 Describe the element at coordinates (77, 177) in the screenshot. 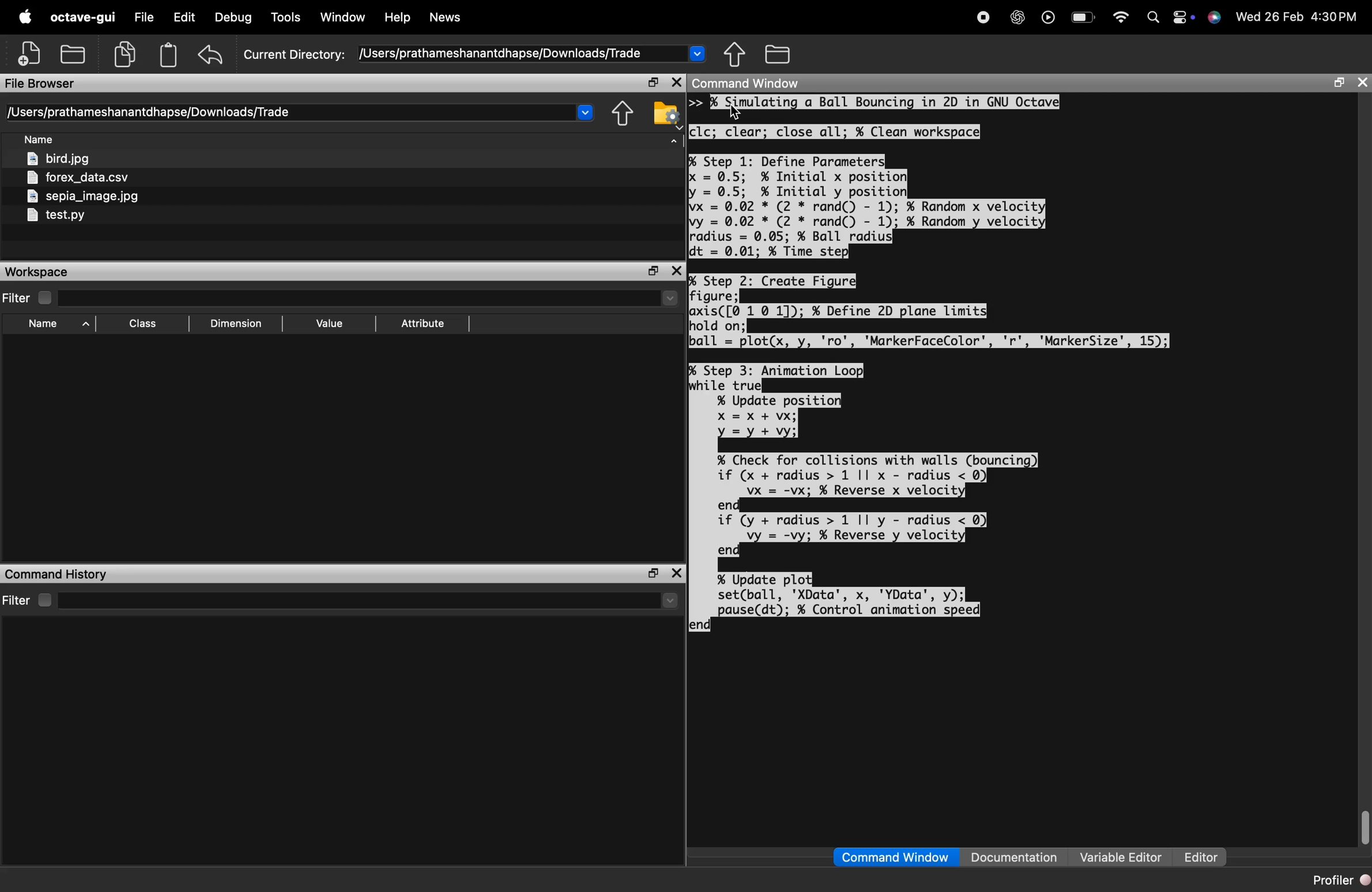

I see ` forex_data.csv` at that location.